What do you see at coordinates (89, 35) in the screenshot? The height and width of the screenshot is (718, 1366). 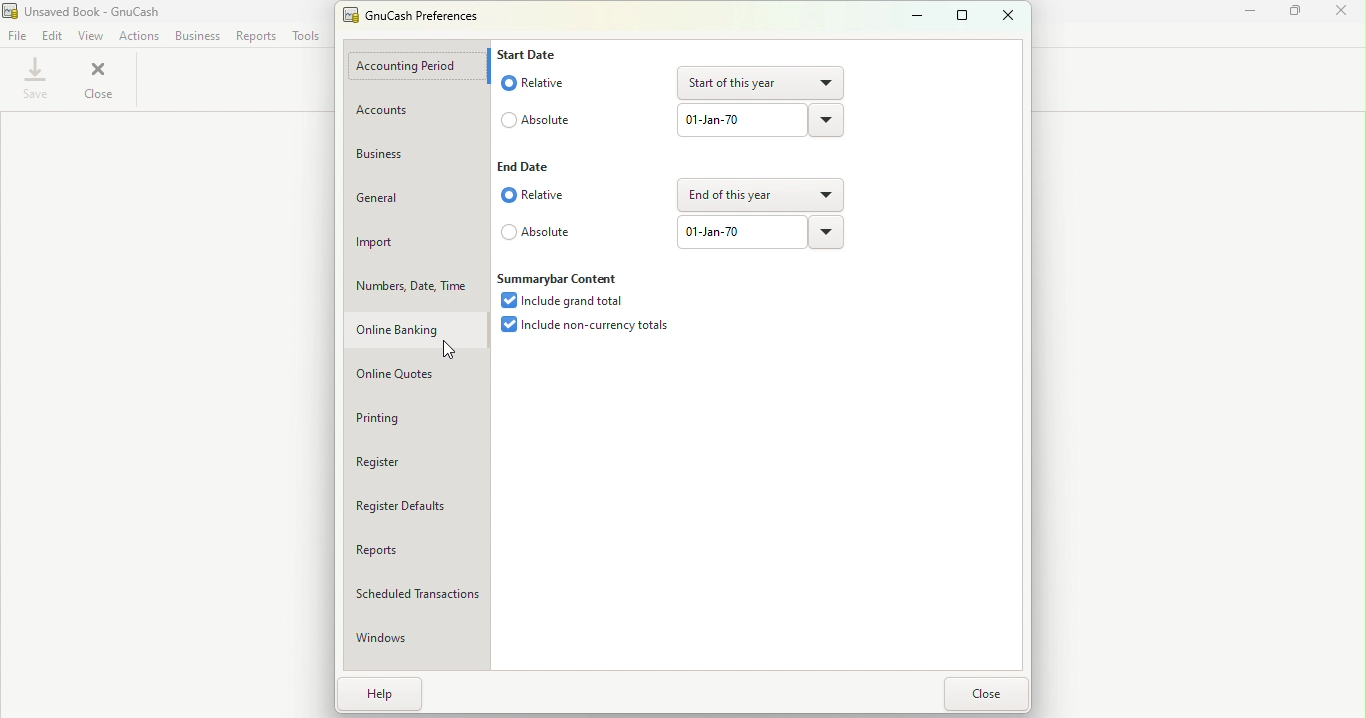 I see `View` at bounding box center [89, 35].